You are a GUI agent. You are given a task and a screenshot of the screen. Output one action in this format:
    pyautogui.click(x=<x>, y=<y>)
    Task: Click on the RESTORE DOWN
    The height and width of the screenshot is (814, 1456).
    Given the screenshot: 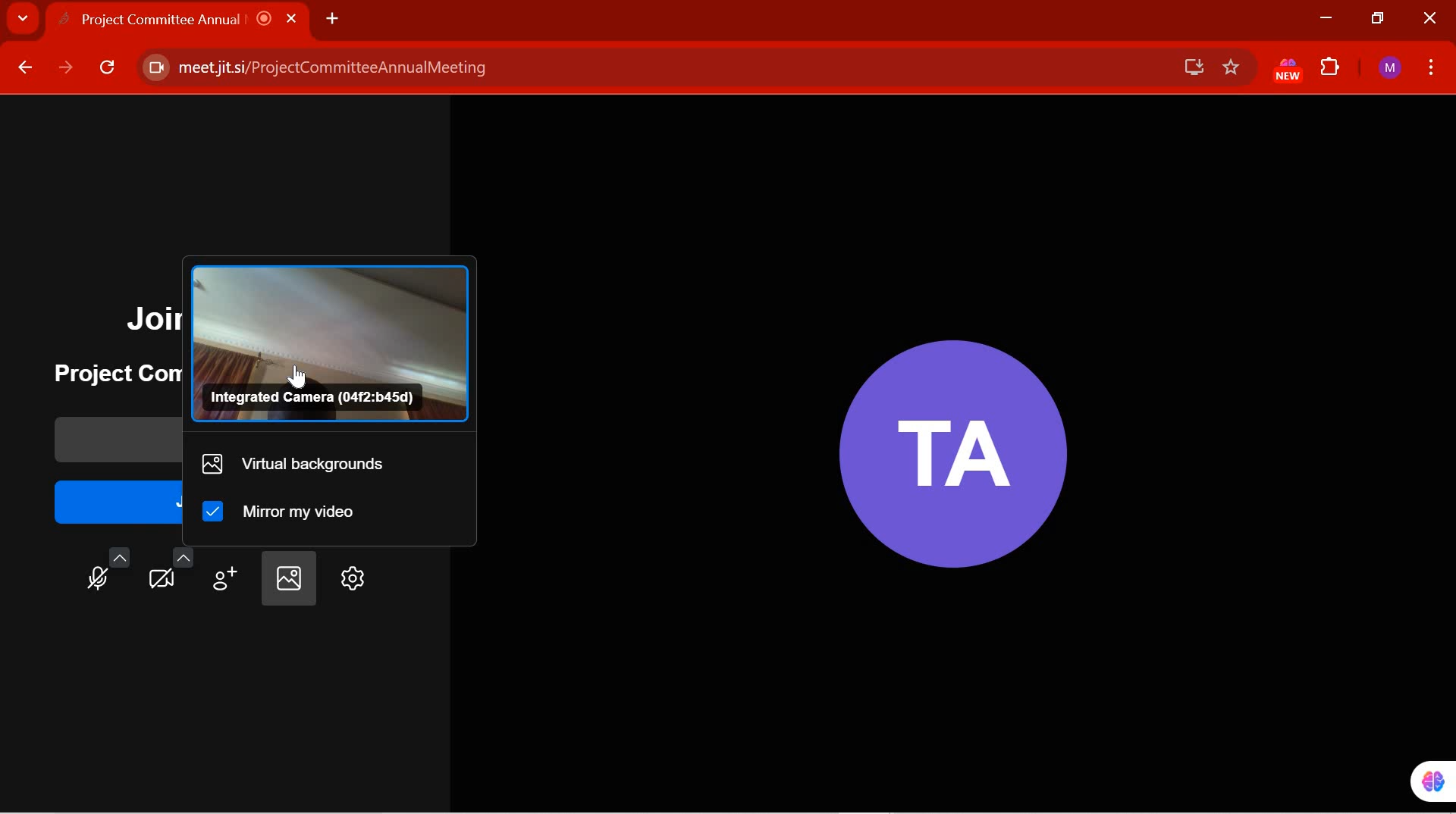 What is the action you would take?
    pyautogui.click(x=1379, y=19)
    